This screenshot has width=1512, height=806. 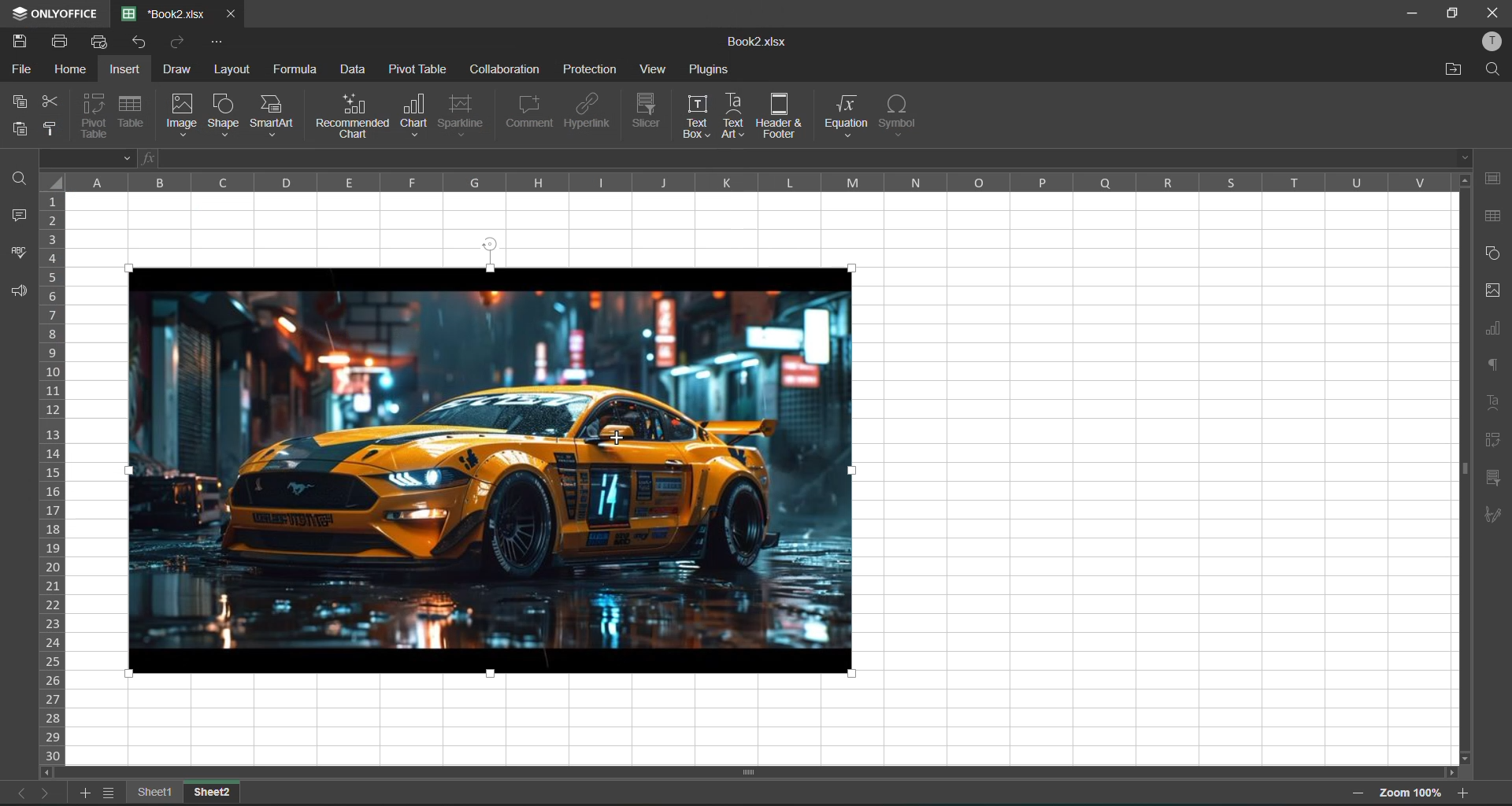 I want to click on insert, so click(x=131, y=68).